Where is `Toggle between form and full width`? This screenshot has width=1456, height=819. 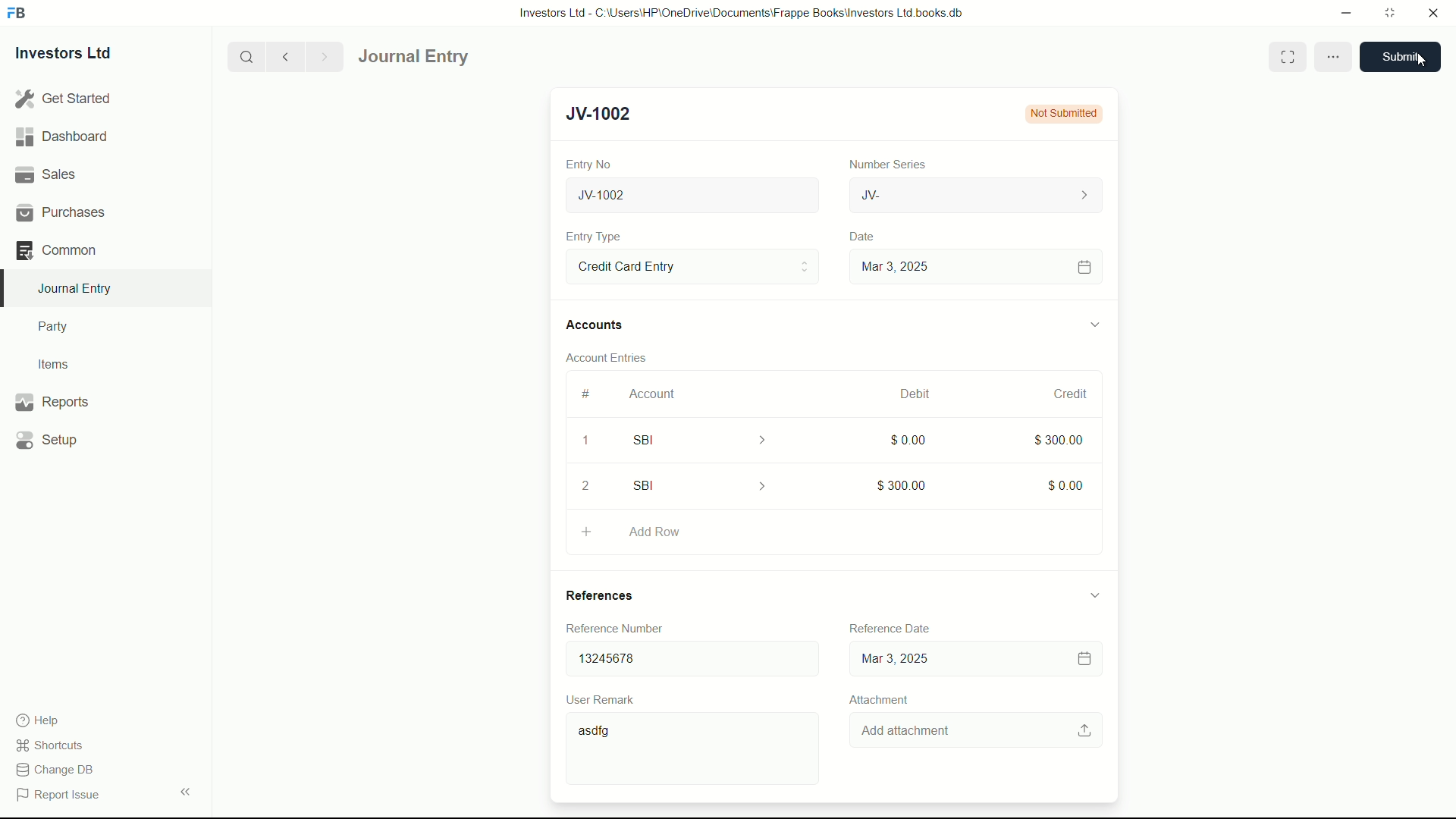
Toggle between form and full width is located at coordinates (1290, 56).